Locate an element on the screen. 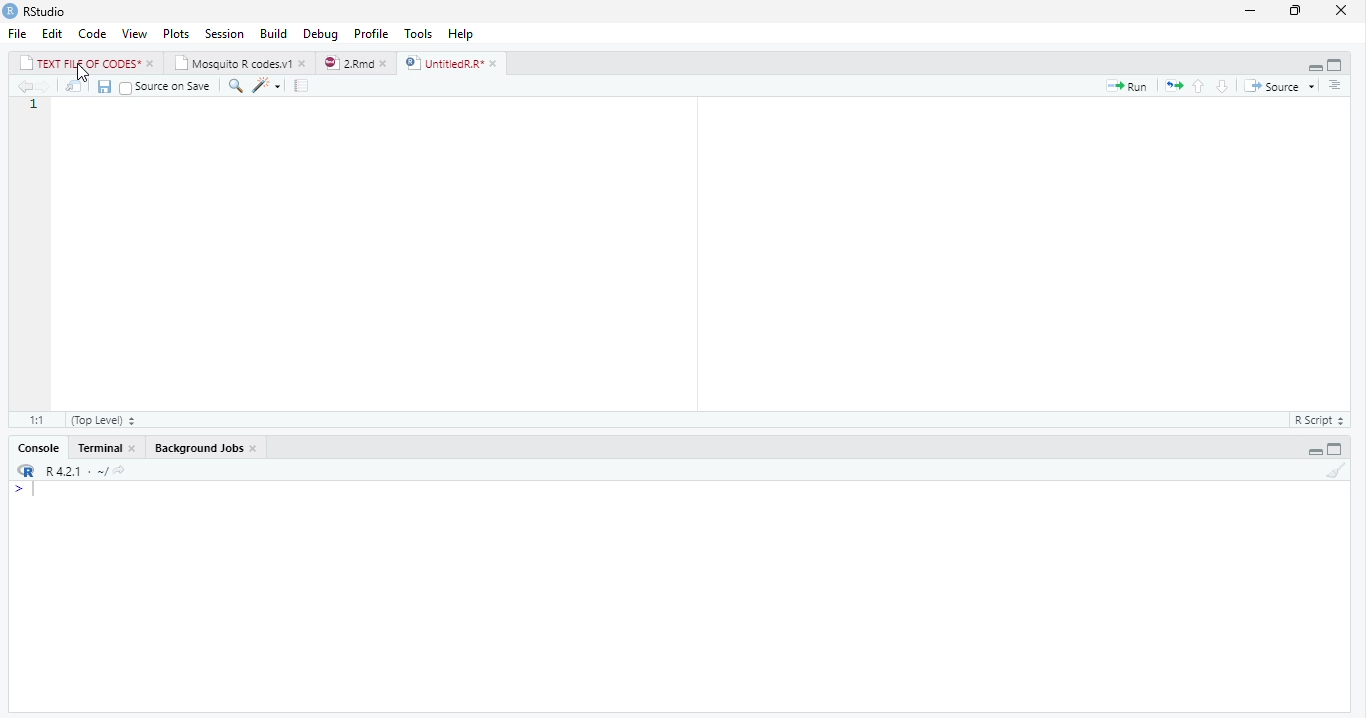  find and replace is located at coordinates (238, 87).